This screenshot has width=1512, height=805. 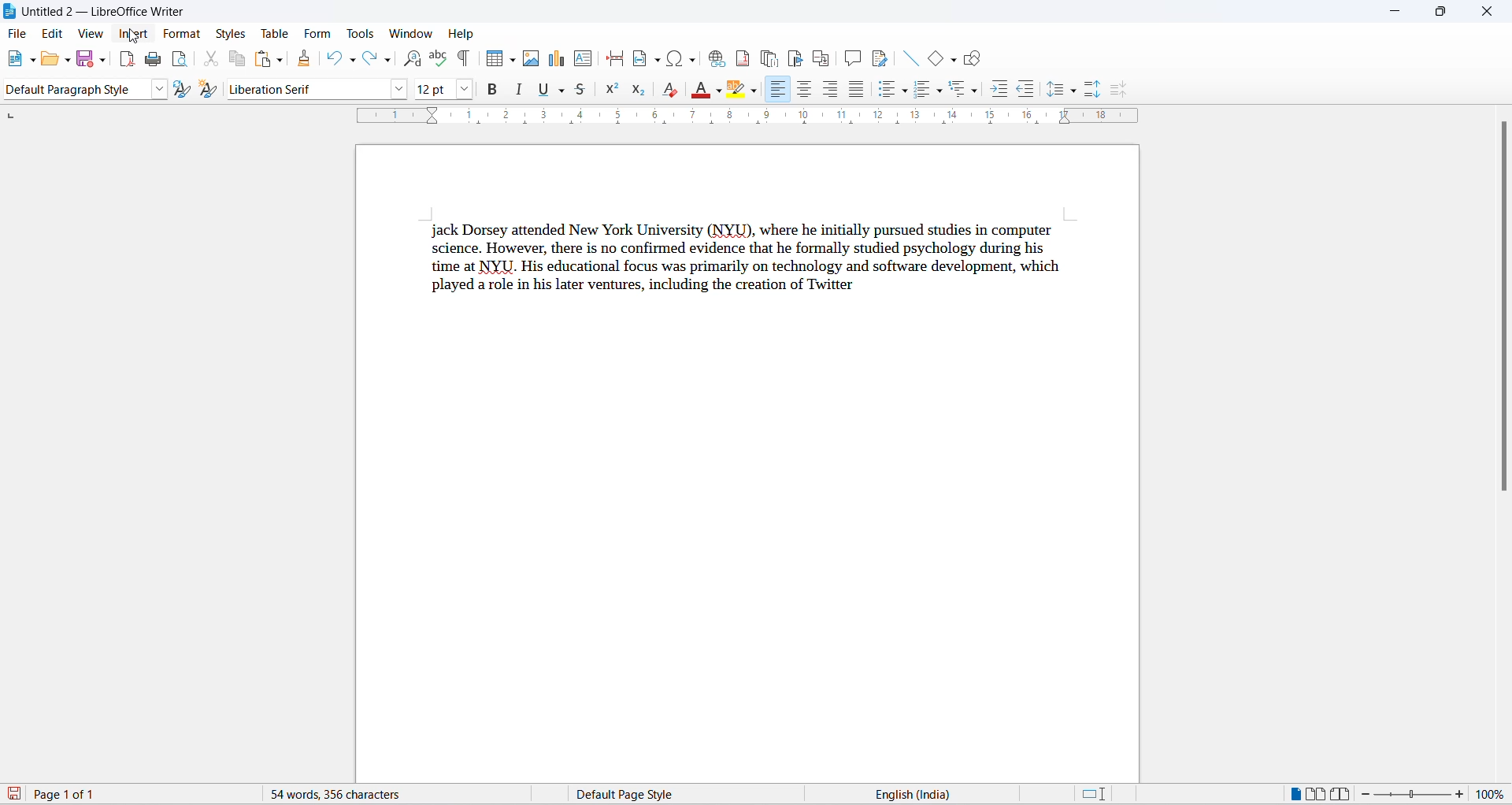 What do you see at coordinates (943, 95) in the screenshot?
I see `toggle ordered list options` at bounding box center [943, 95].